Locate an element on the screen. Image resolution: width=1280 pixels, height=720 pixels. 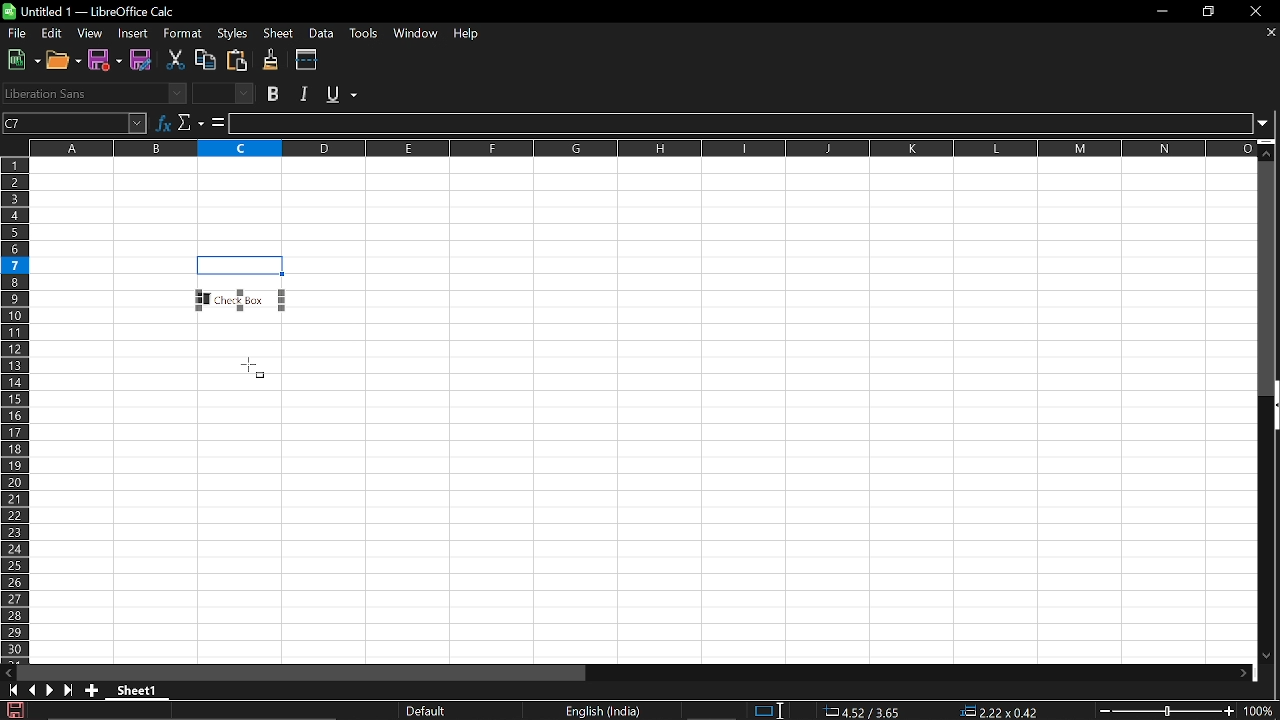
Formula standard selection is located at coordinates (938, 712).